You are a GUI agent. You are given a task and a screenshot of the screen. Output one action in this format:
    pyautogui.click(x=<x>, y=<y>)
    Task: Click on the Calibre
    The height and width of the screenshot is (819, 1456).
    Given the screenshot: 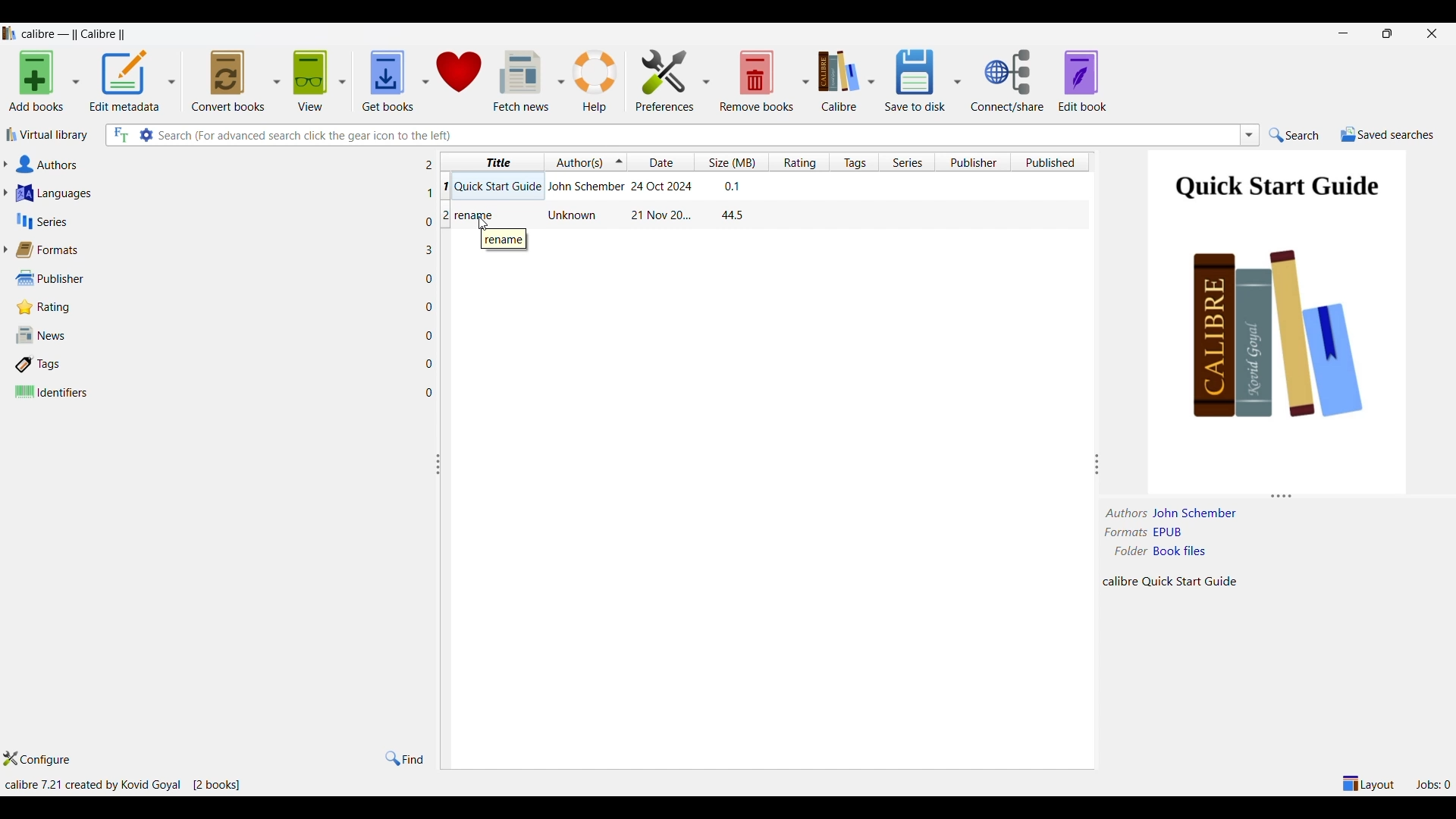 What is the action you would take?
    pyautogui.click(x=841, y=81)
    